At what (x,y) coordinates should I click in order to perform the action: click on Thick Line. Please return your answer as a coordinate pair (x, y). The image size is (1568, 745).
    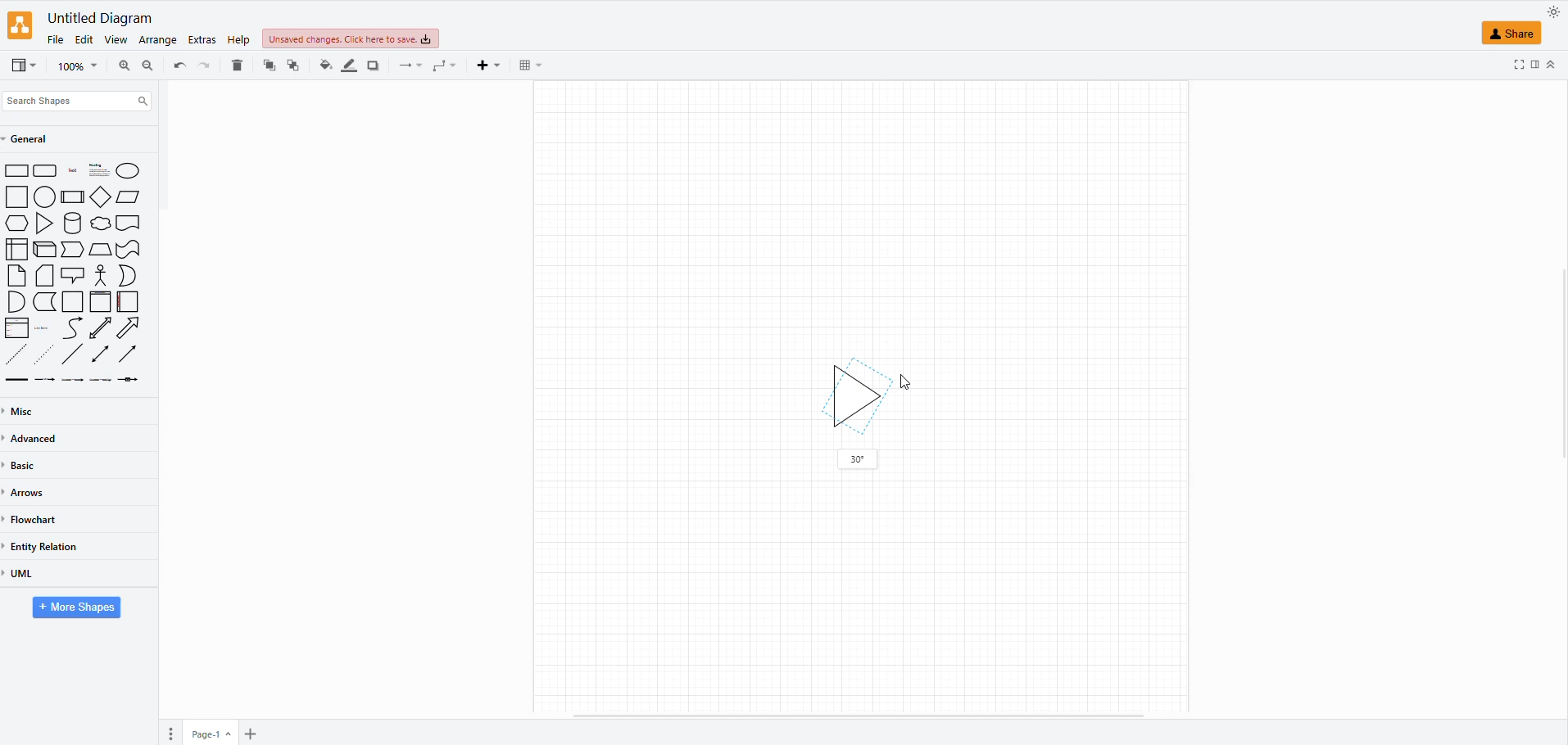
    Looking at the image, I should click on (16, 380).